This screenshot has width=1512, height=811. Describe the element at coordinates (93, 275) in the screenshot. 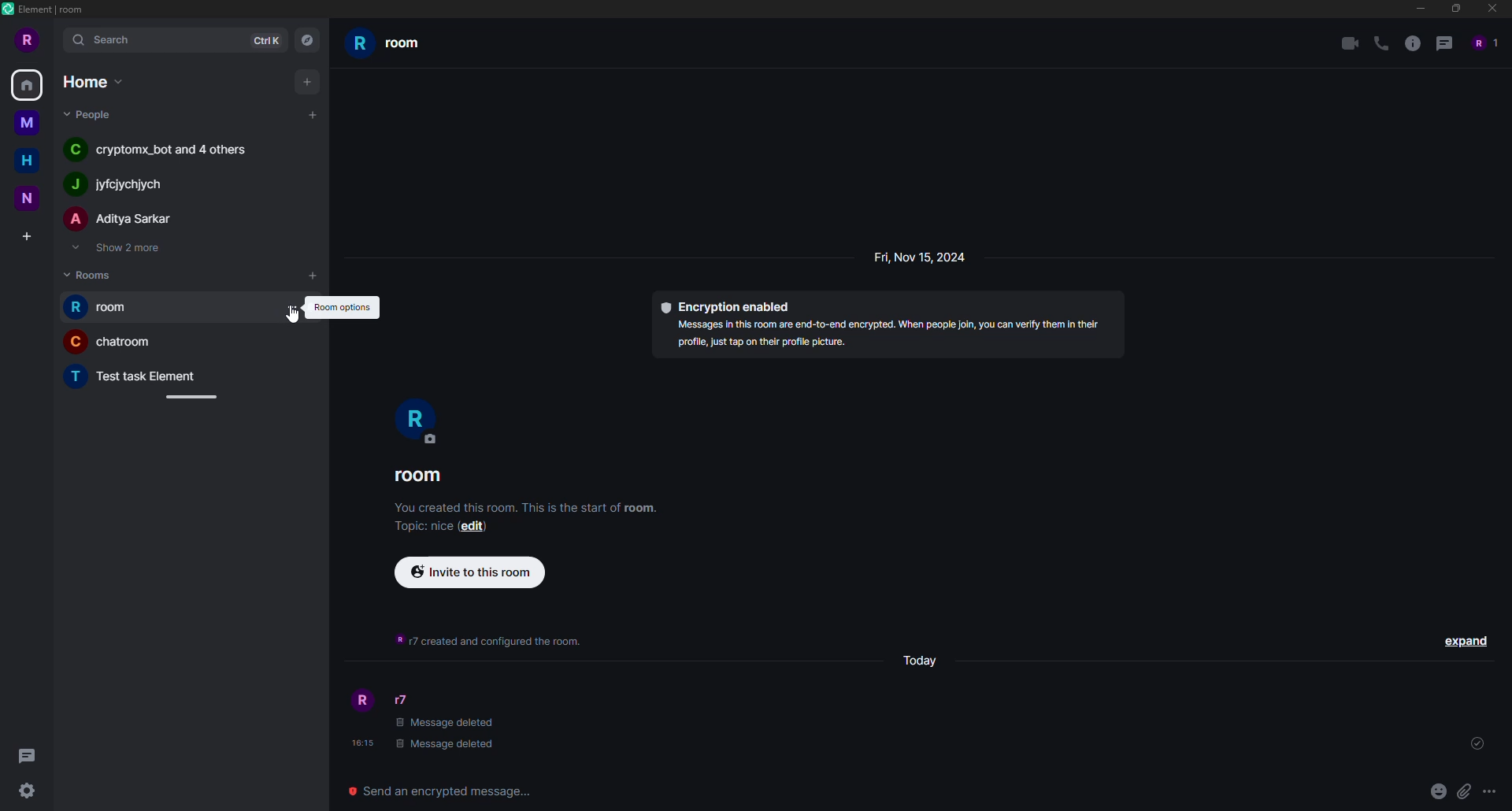

I see `rooms` at that location.